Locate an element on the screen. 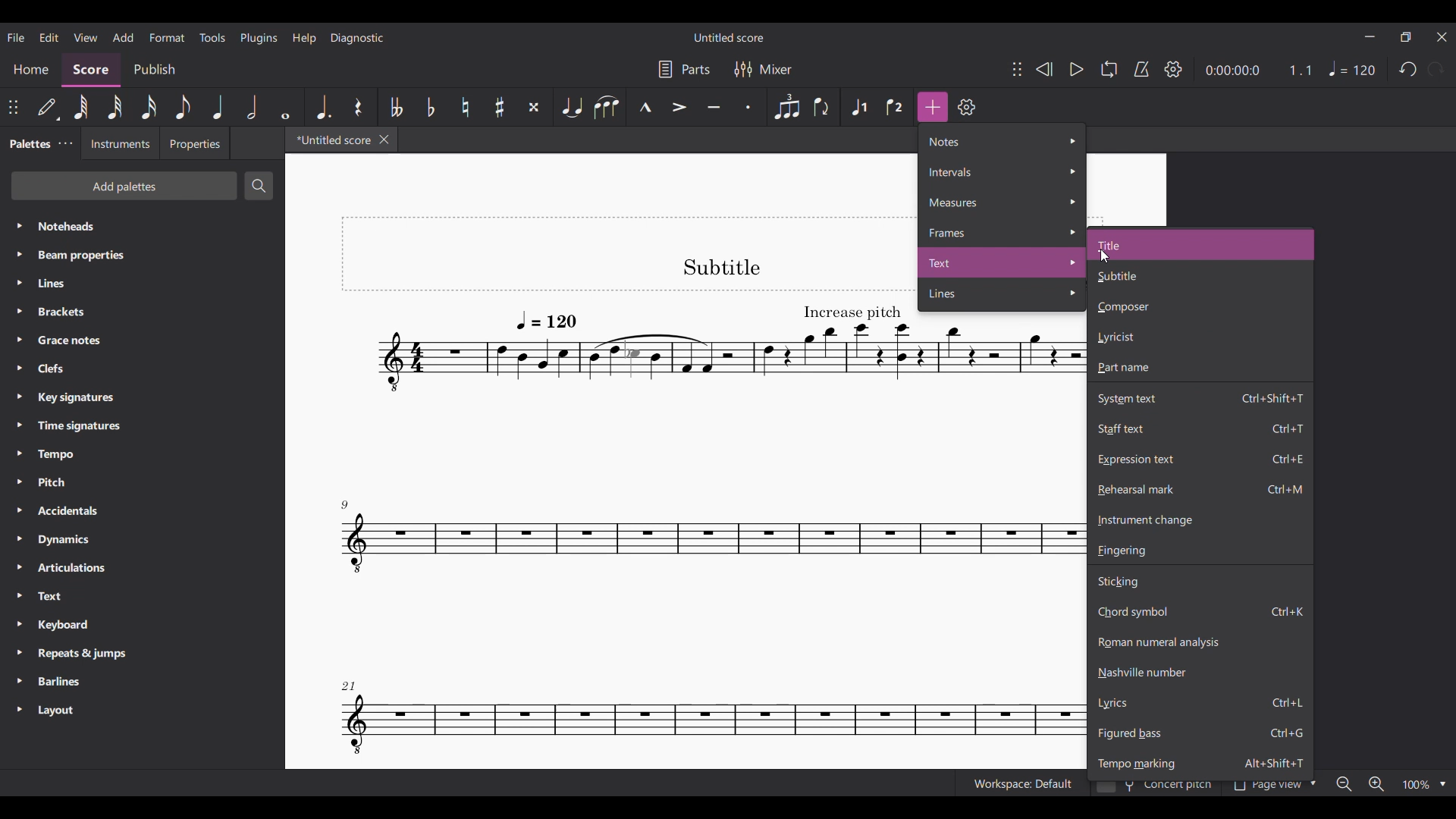 This screenshot has width=1456, height=819. Change position is located at coordinates (1018, 69).